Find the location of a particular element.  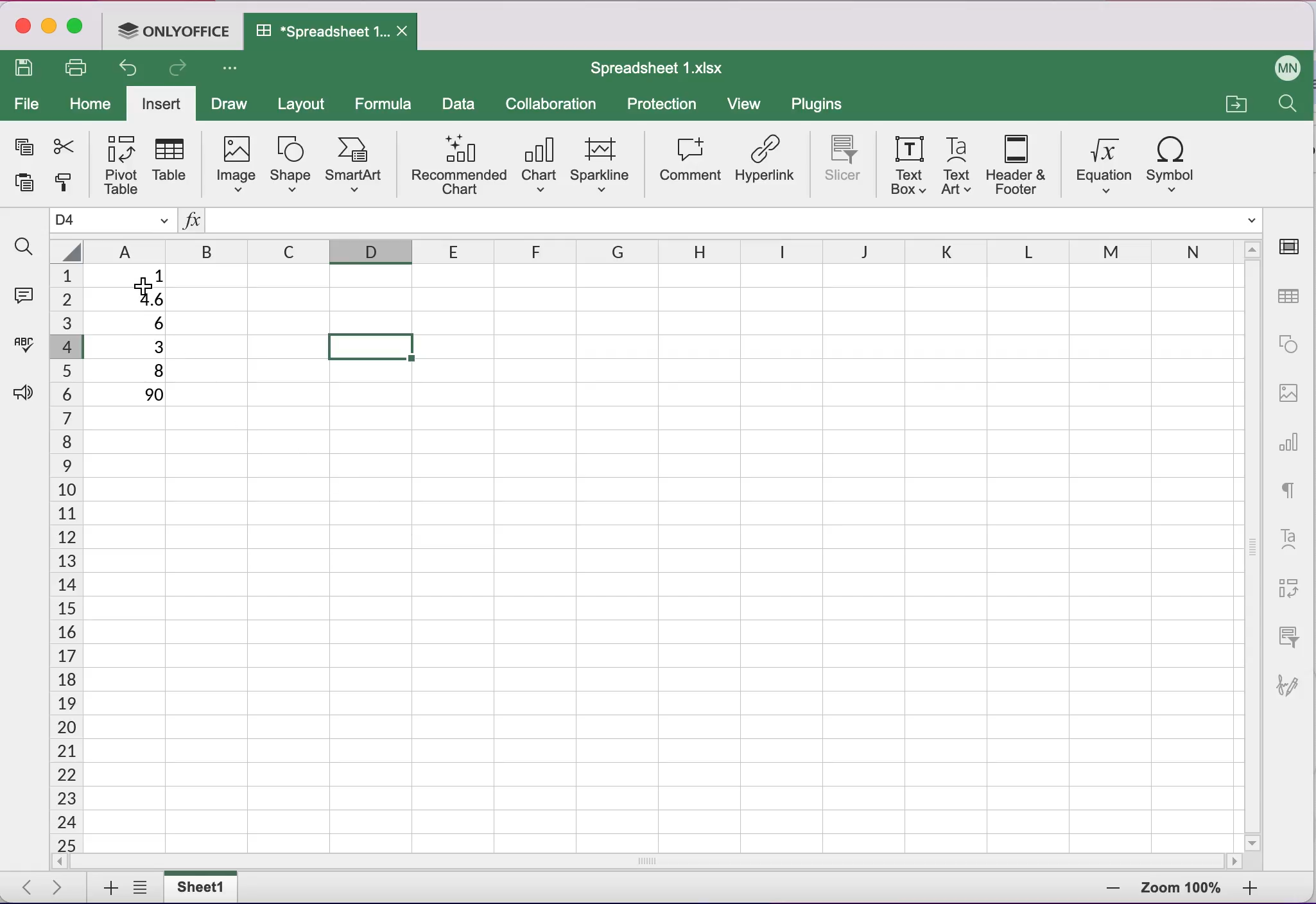

find is located at coordinates (24, 248).